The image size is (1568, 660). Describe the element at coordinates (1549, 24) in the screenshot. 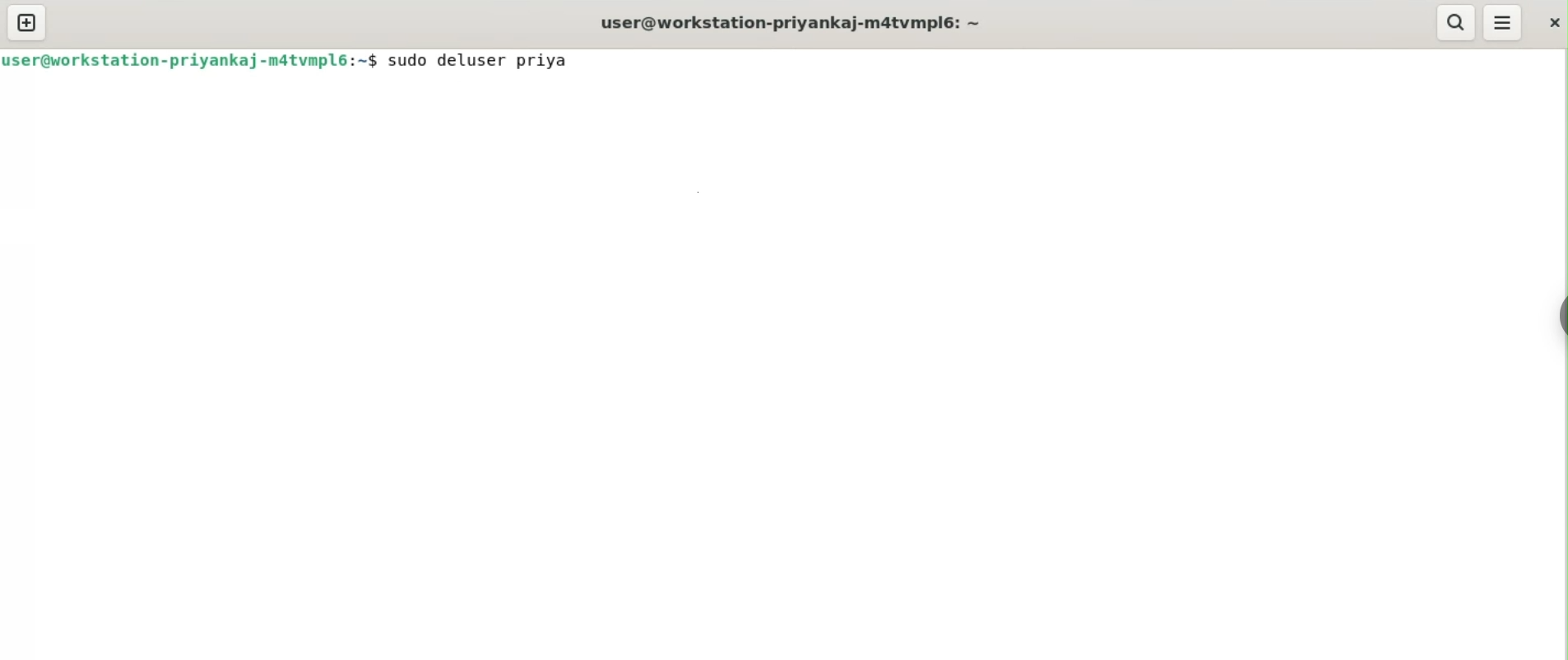

I see `close` at that location.